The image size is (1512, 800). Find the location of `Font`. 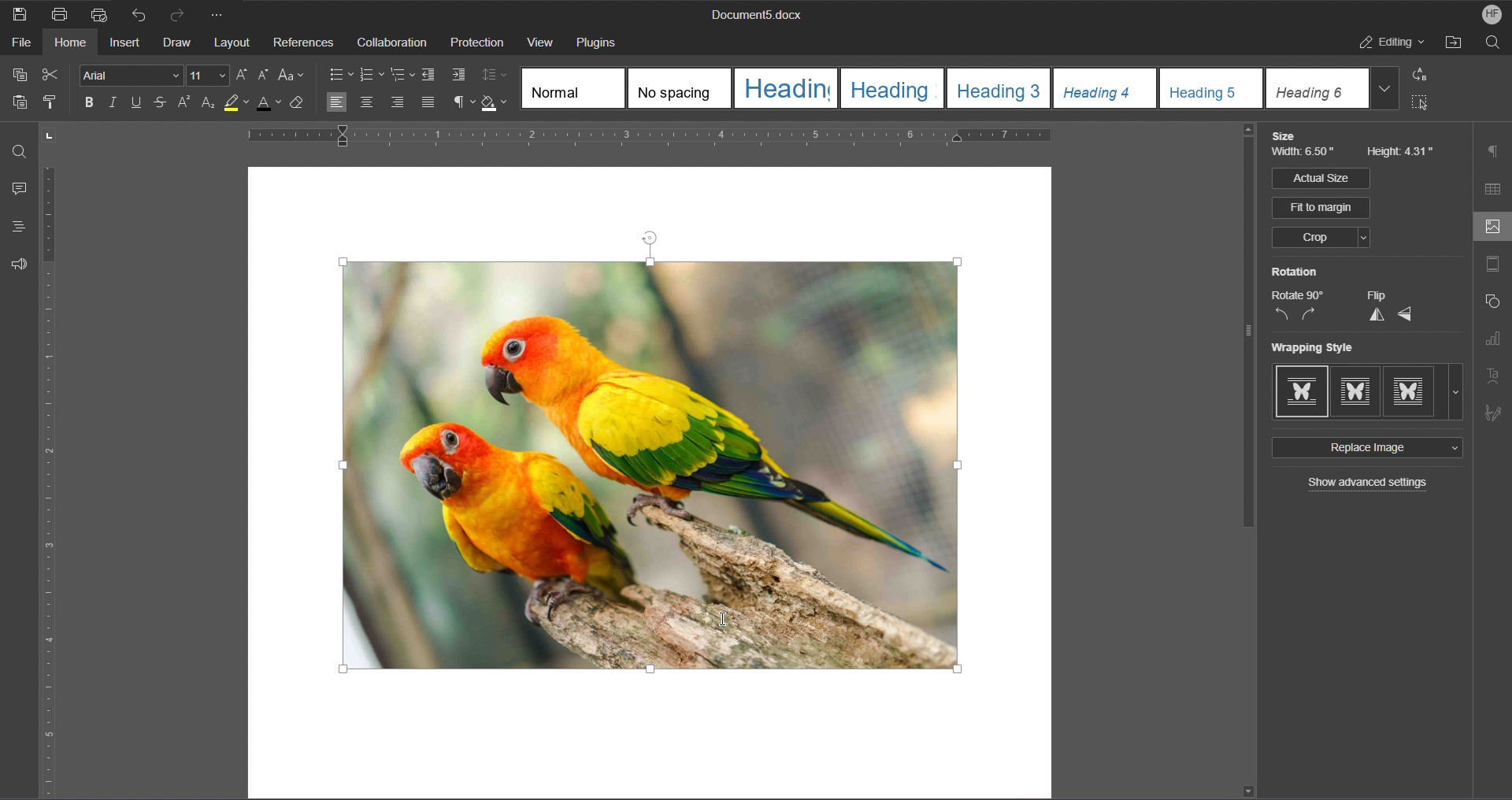

Font is located at coordinates (127, 75).